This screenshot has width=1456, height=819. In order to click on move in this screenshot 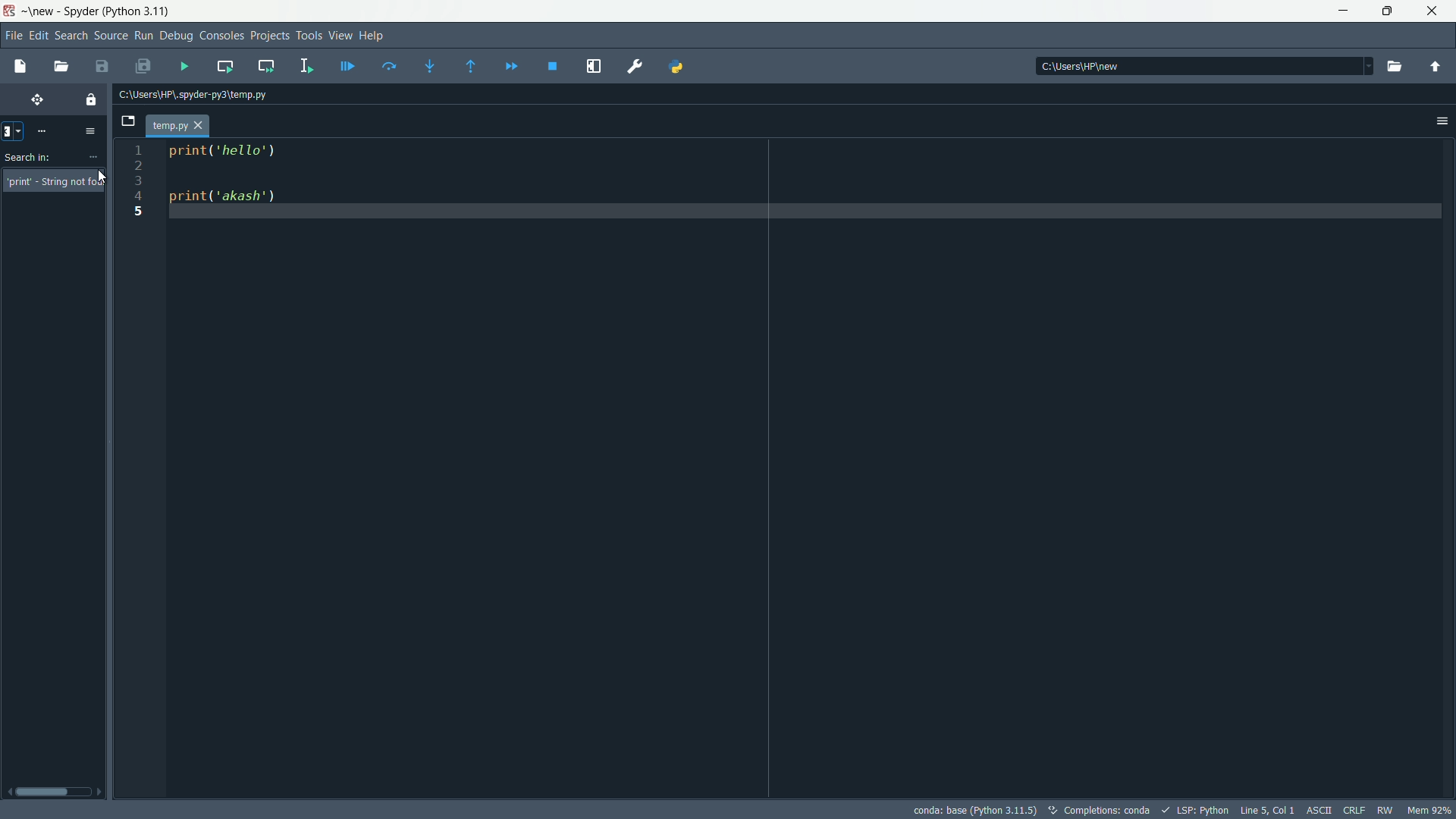, I will do `click(35, 102)`.